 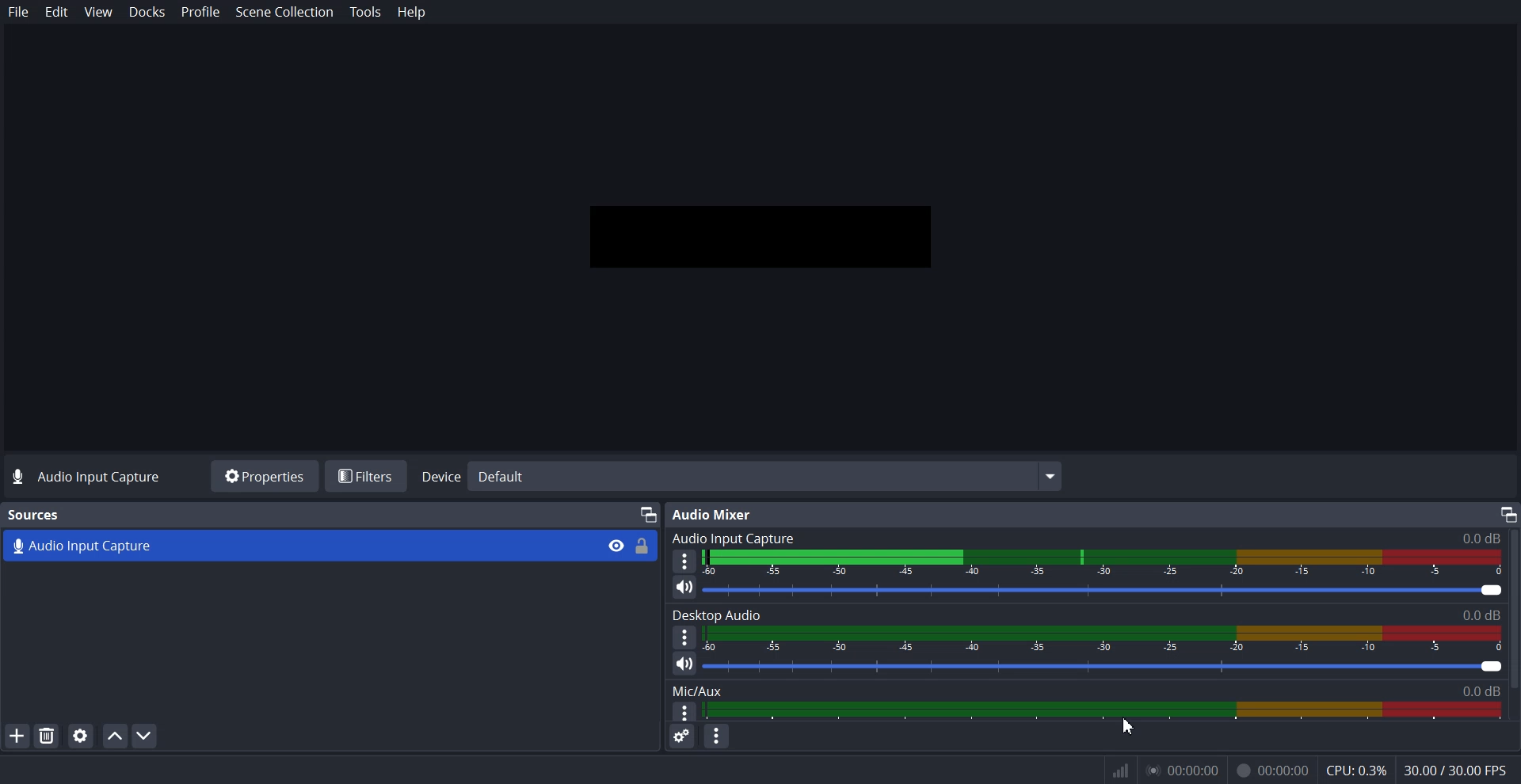 What do you see at coordinates (57, 12) in the screenshot?
I see `Edit` at bounding box center [57, 12].